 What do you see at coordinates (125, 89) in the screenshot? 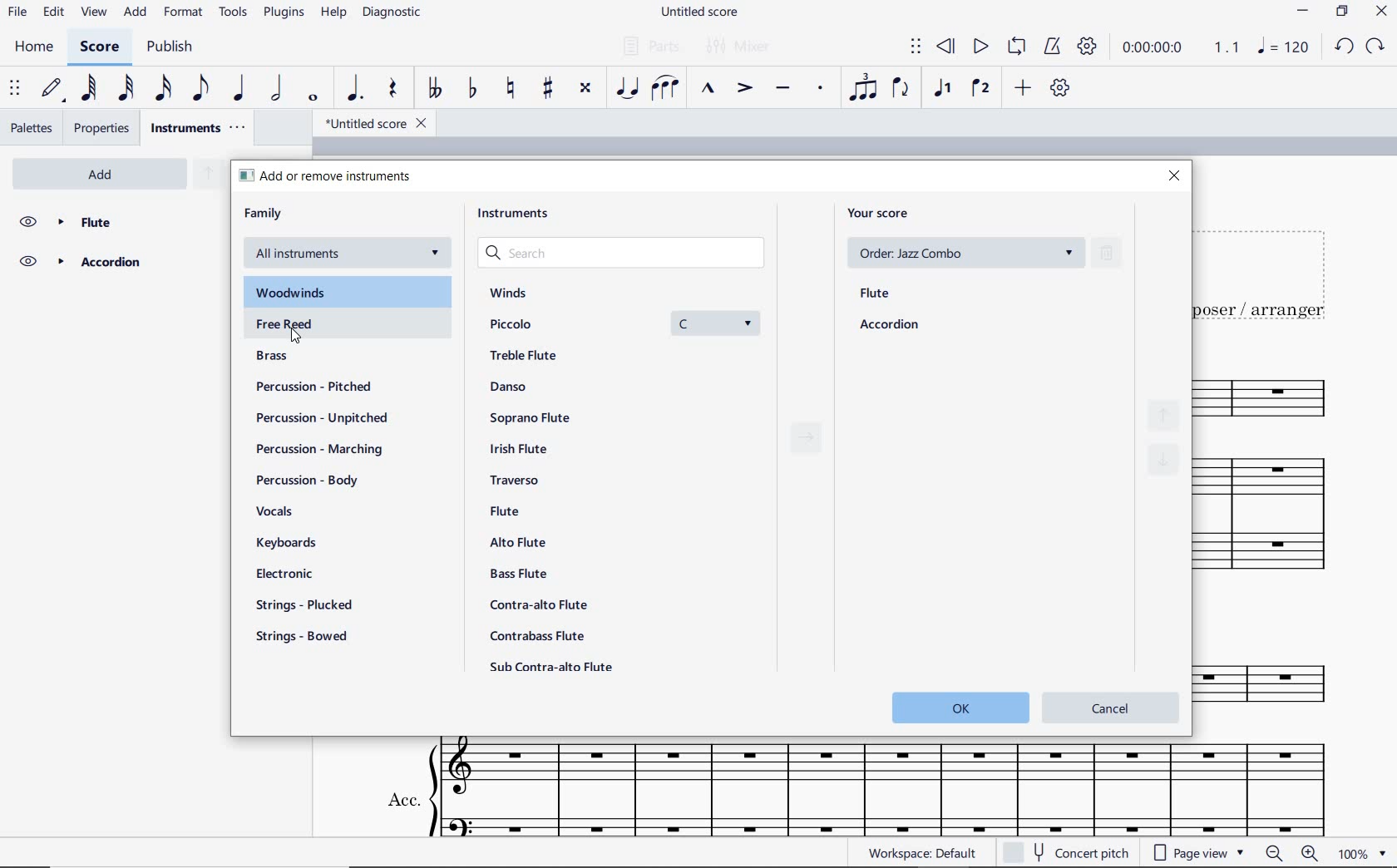
I see `32nd note` at bounding box center [125, 89].